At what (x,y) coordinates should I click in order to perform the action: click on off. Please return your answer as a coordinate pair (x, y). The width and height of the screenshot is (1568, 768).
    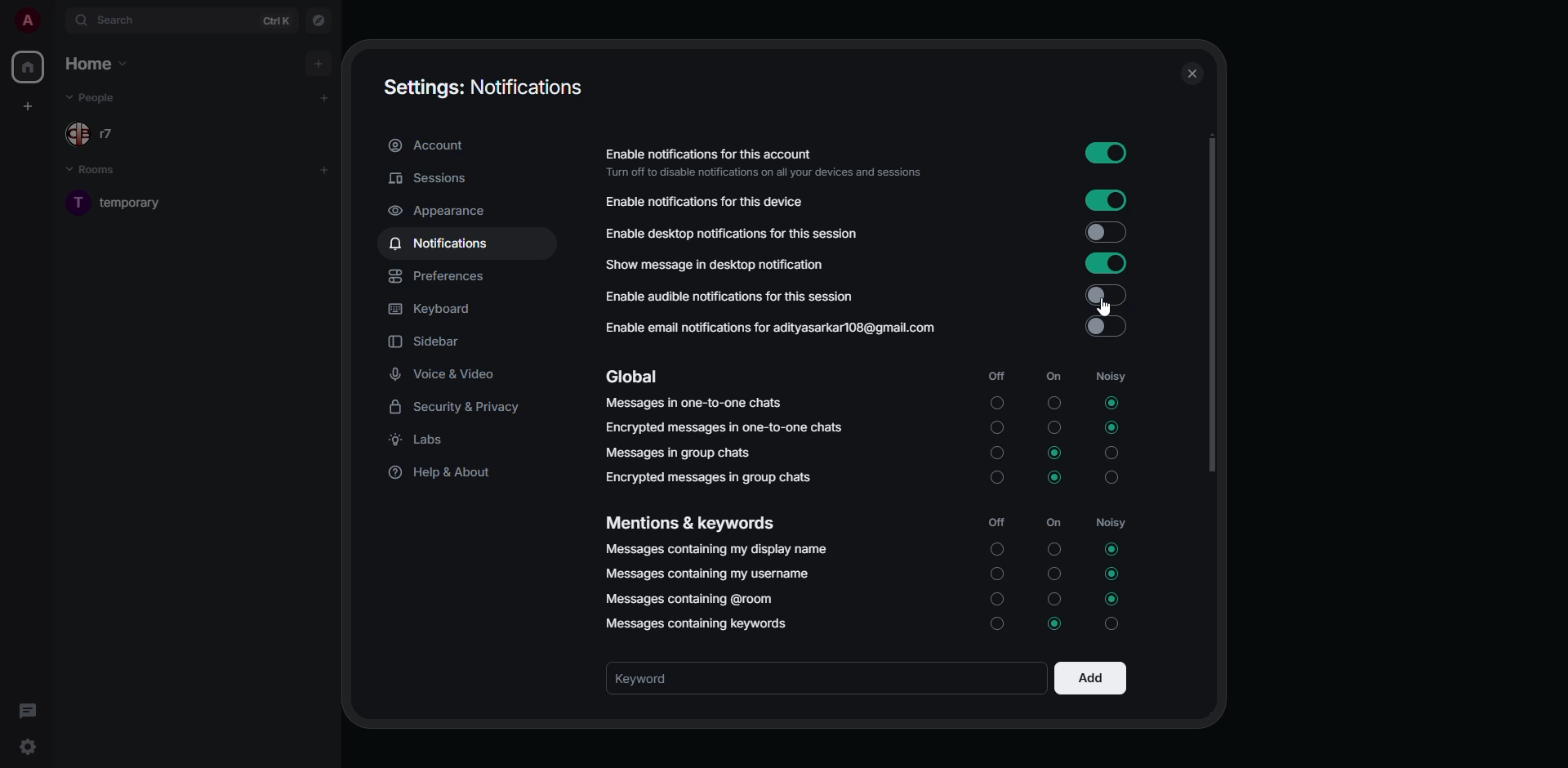
    Looking at the image, I should click on (1001, 378).